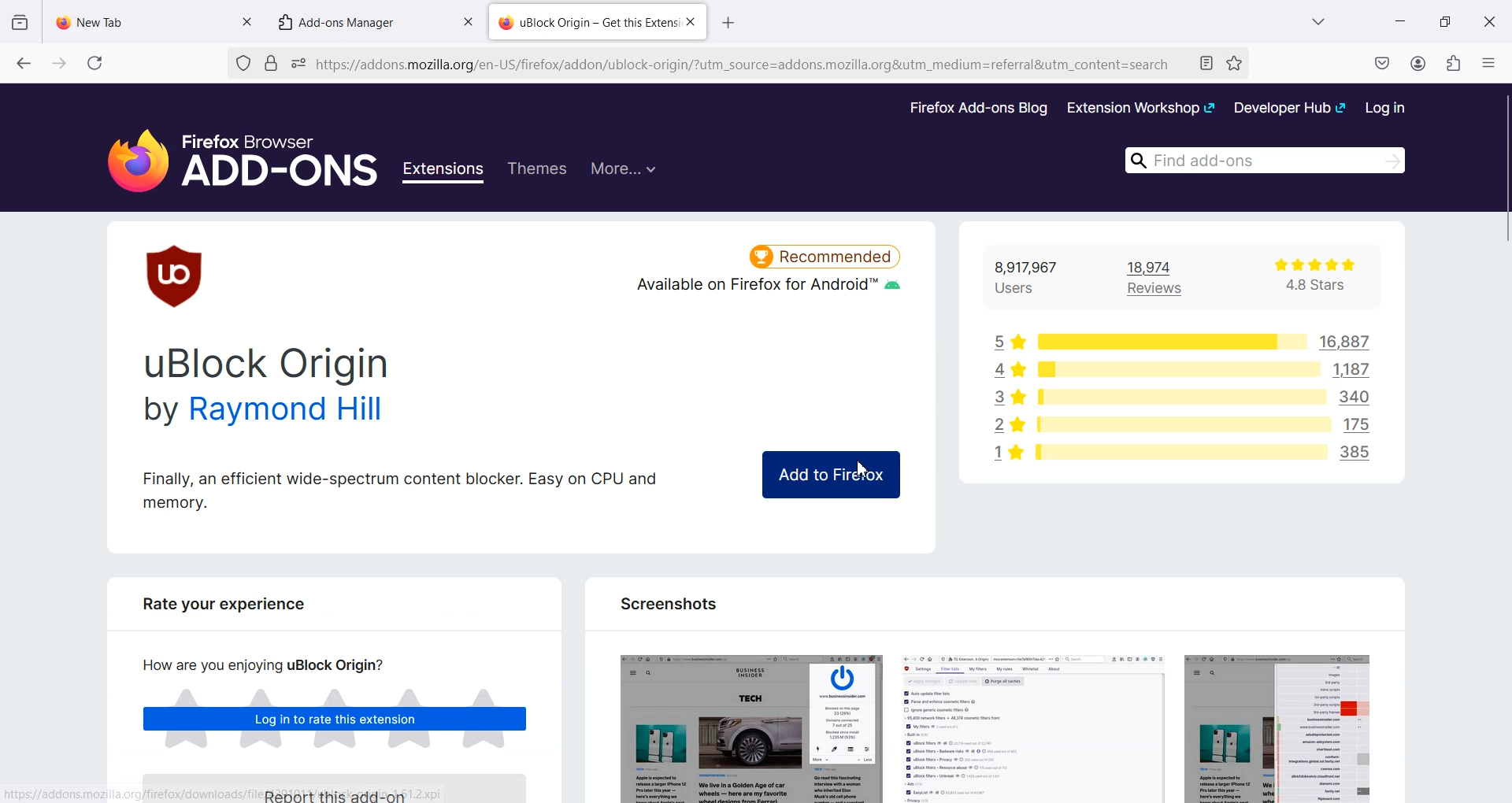  Describe the element at coordinates (1178, 371) in the screenshot. I see `rating bar` at that location.